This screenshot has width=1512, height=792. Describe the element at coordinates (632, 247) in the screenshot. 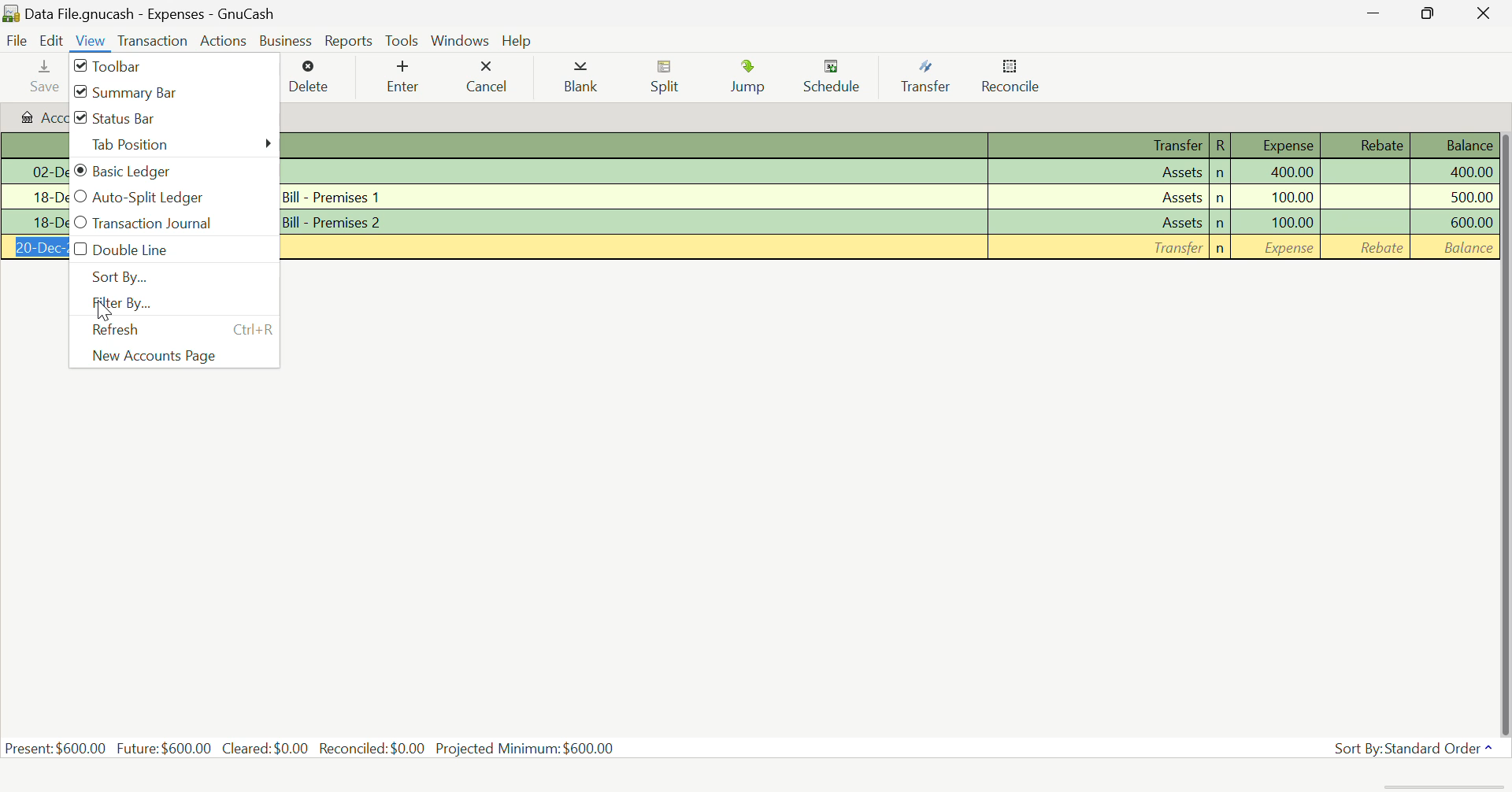

I see `Description` at that location.